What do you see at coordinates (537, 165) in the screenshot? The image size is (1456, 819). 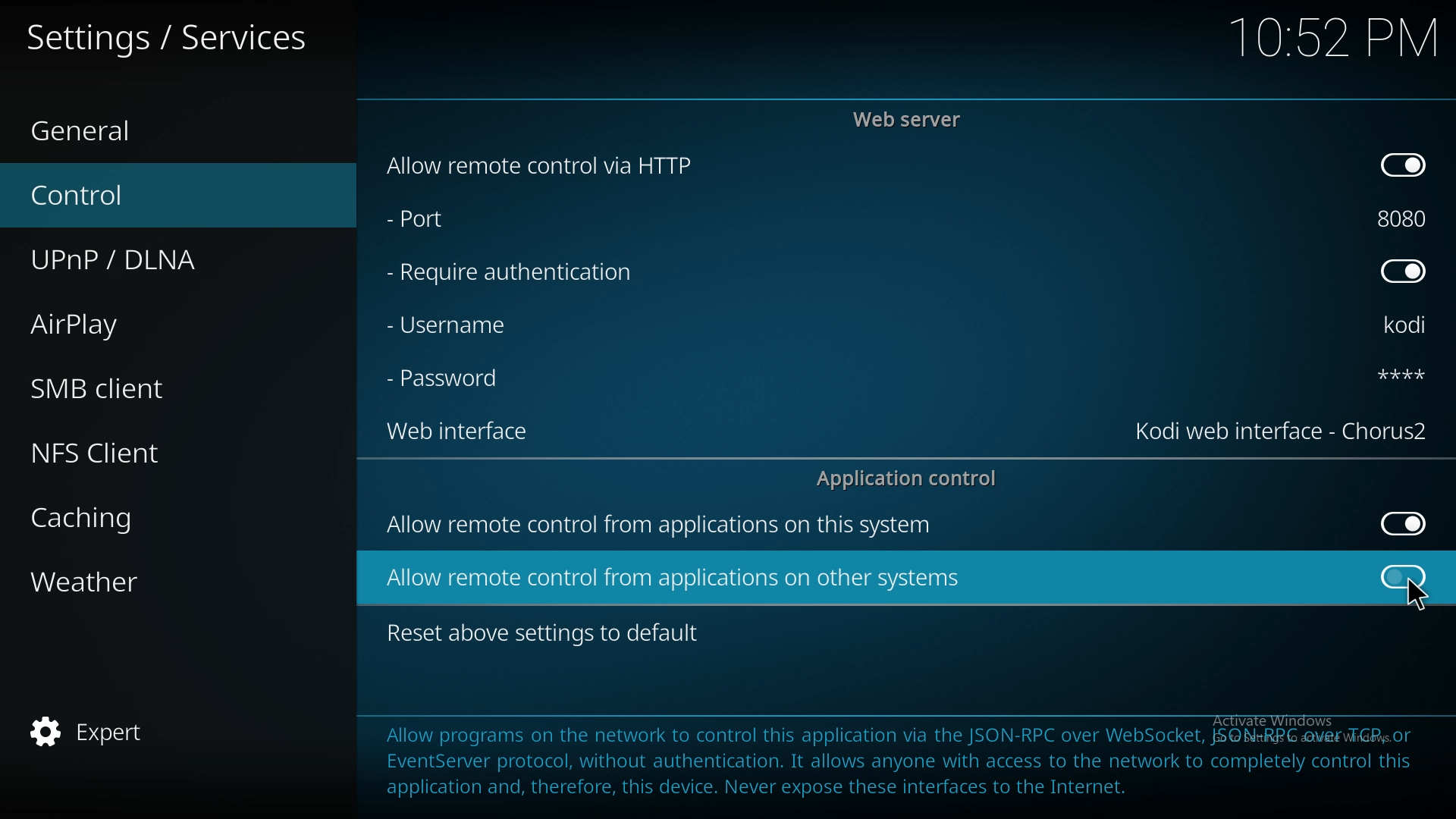 I see `allow remote control via http` at bounding box center [537, 165].